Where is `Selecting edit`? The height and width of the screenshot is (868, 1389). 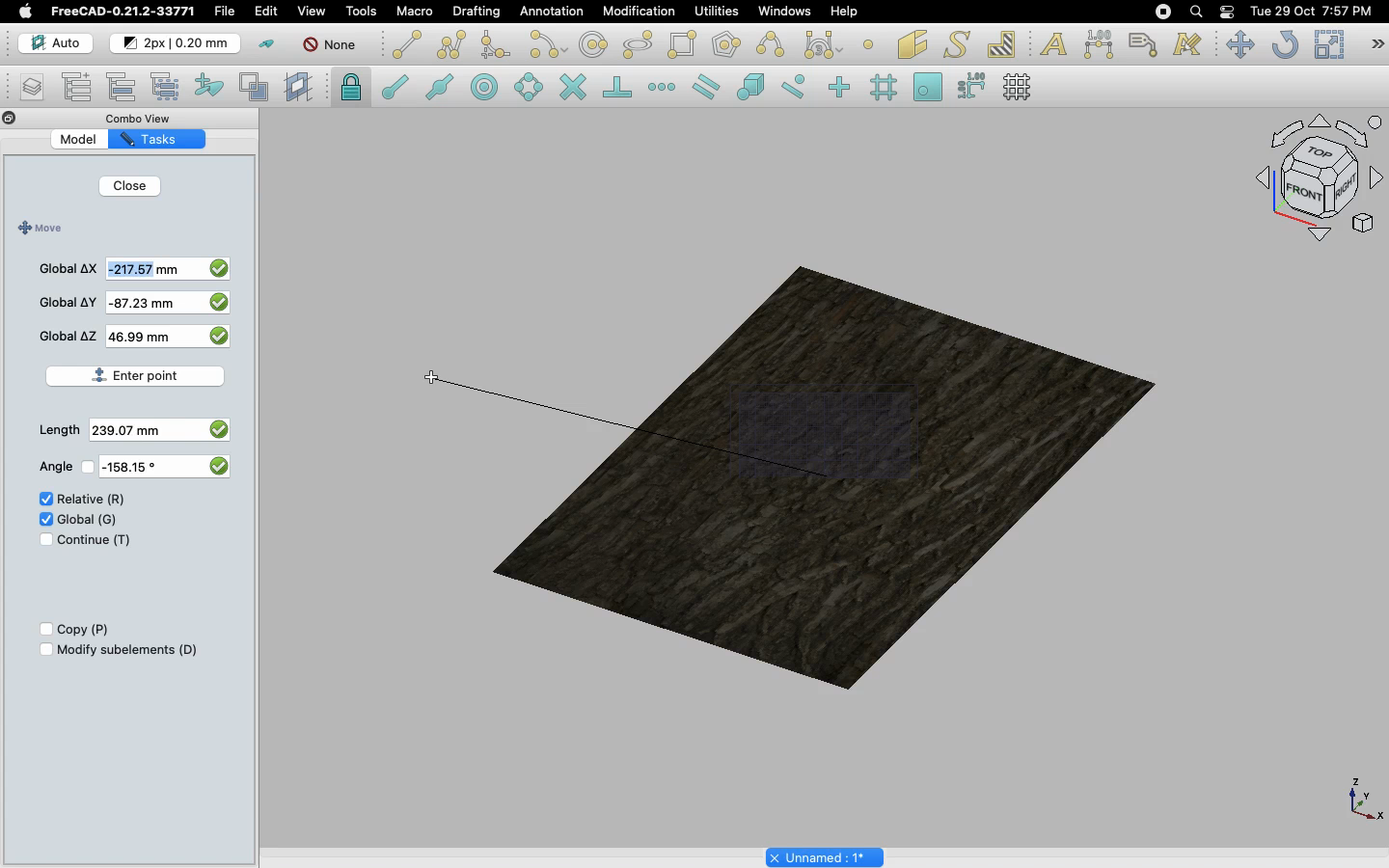 Selecting edit is located at coordinates (270, 13).